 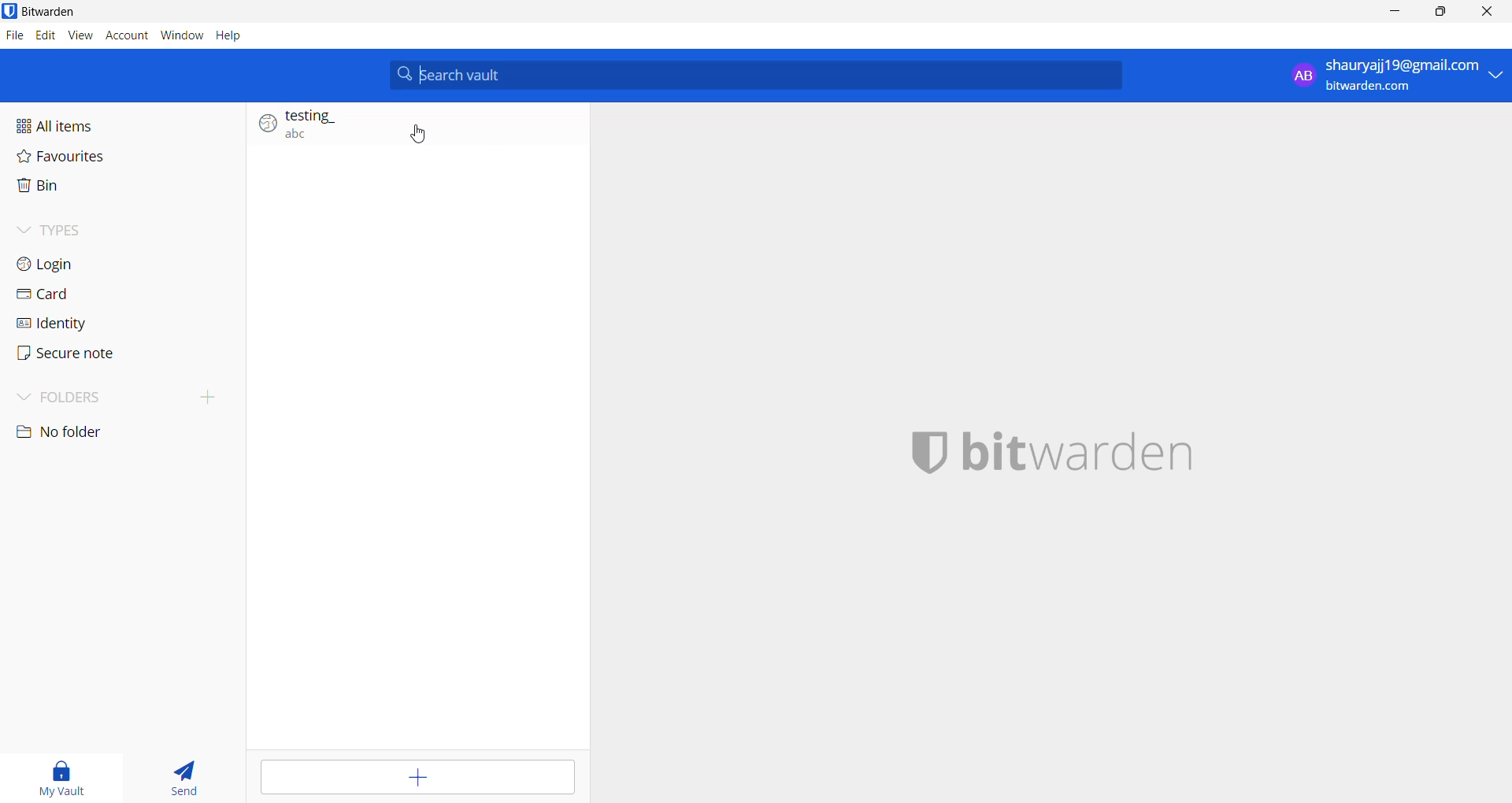 What do you see at coordinates (186, 774) in the screenshot?
I see `send` at bounding box center [186, 774].